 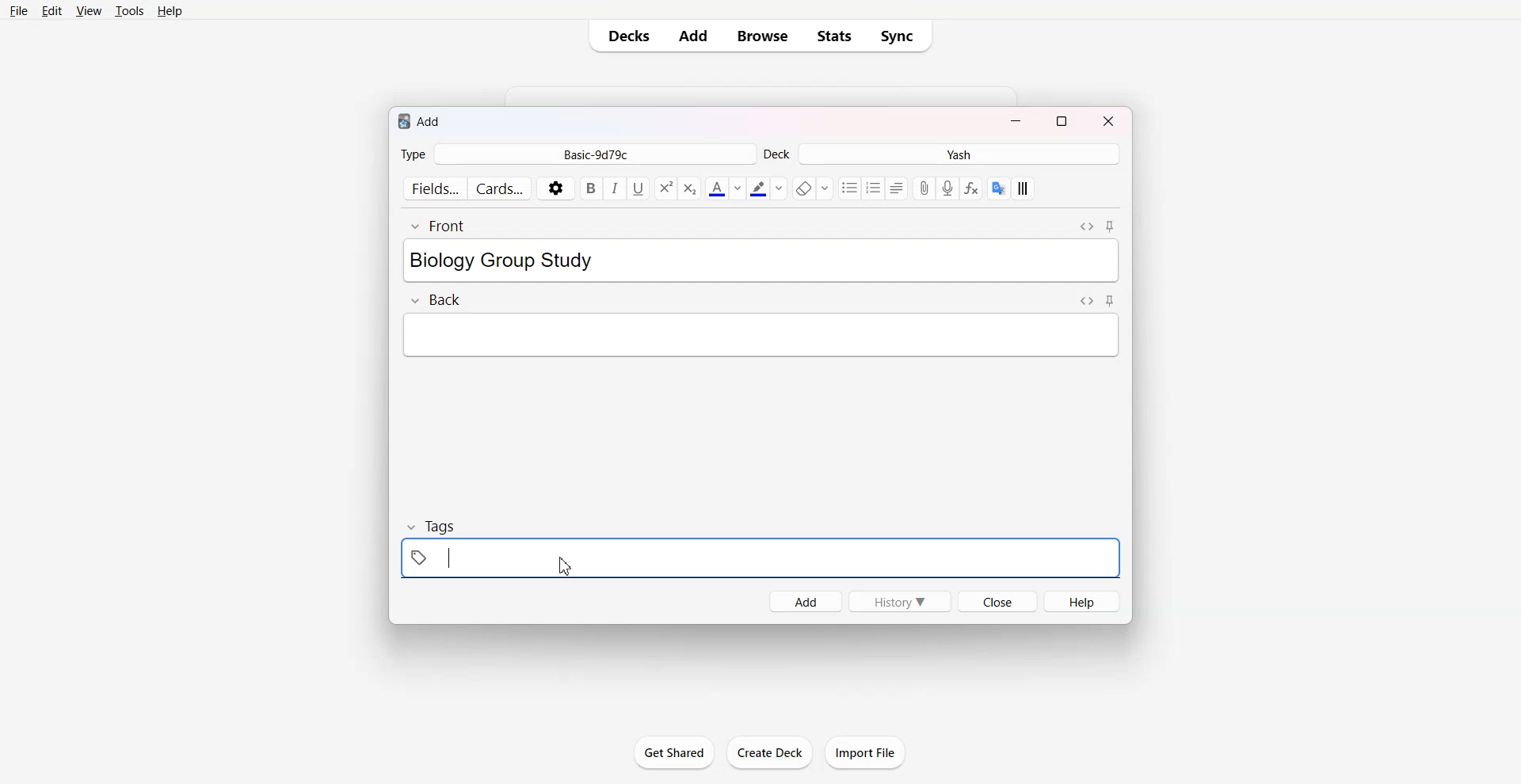 What do you see at coordinates (902, 36) in the screenshot?
I see `Sync` at bounding box center [902, 36].